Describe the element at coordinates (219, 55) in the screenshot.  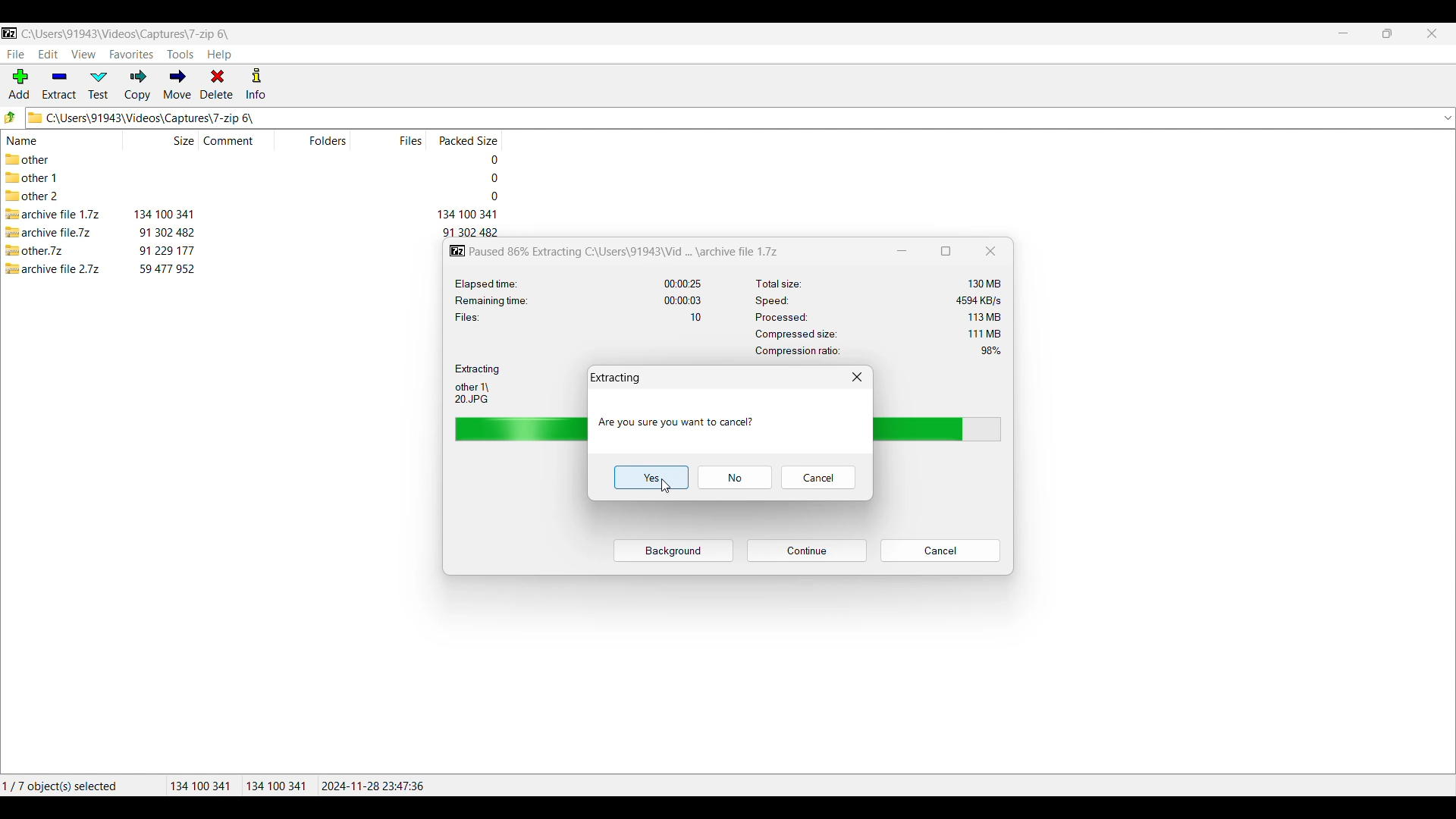
I see `Help menu` at that location.